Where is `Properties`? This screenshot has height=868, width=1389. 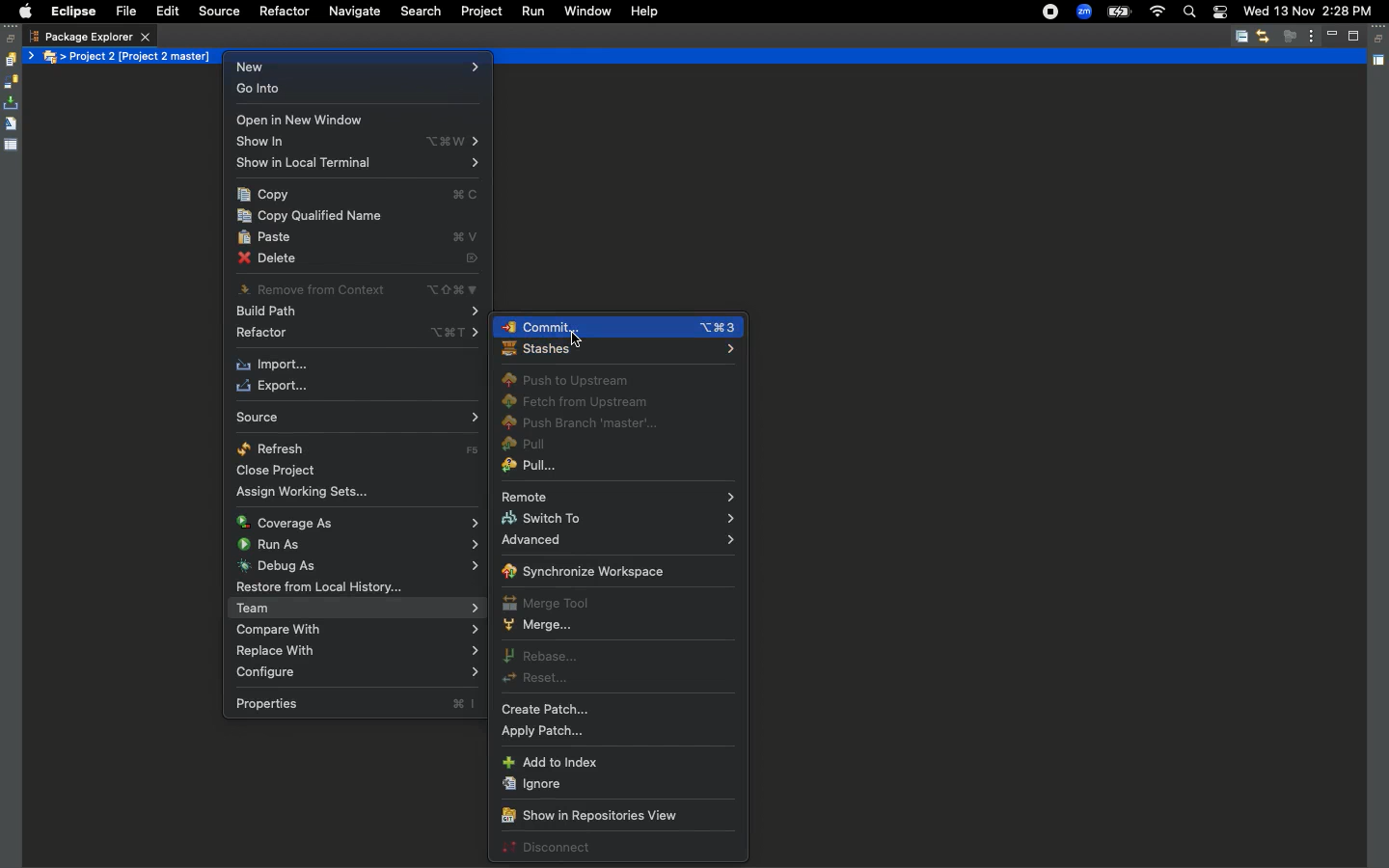
Properties is located at coordinates (12, 144).